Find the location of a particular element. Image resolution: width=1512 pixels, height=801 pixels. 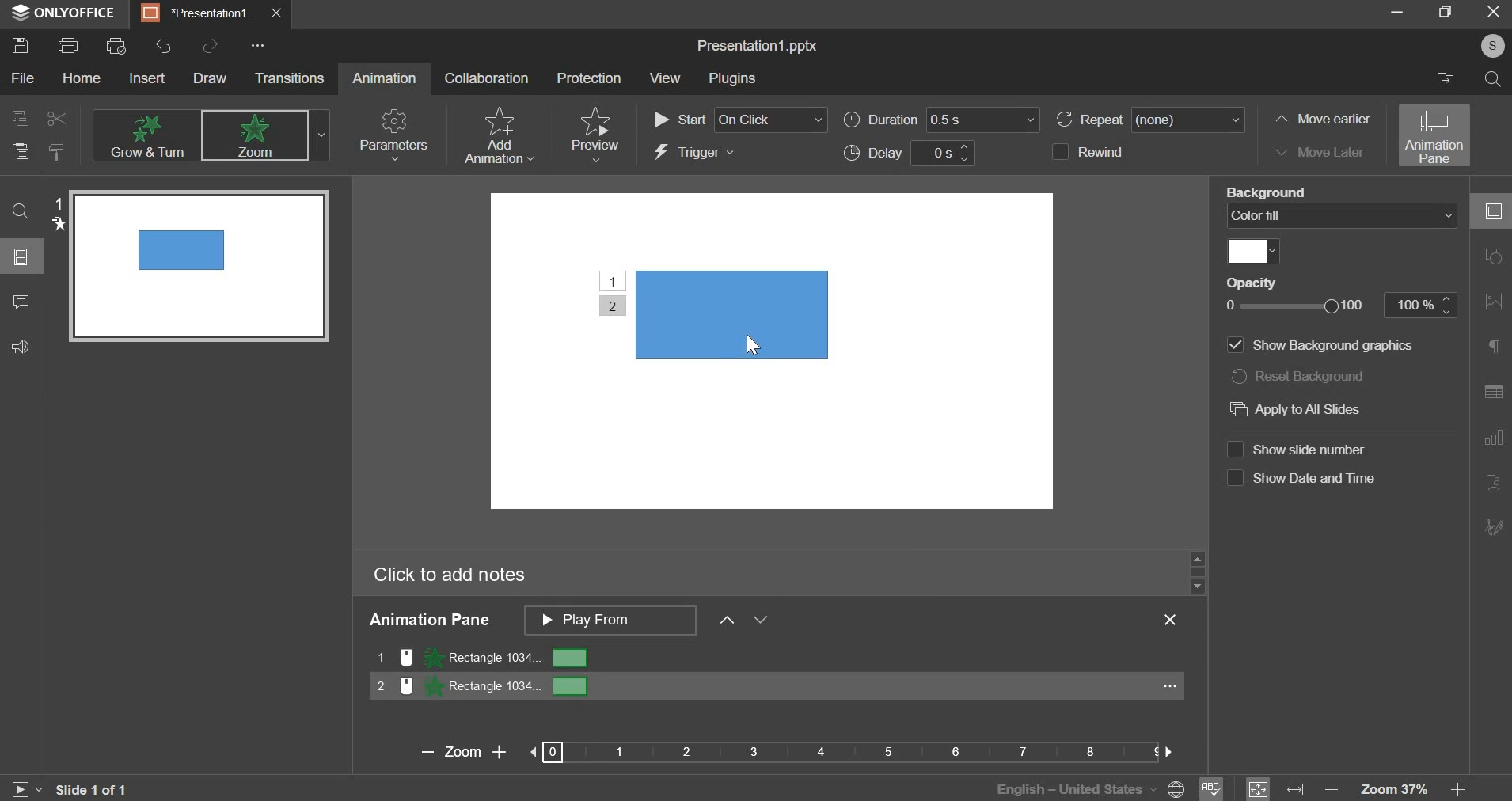

Plugins is located at coordinates (739, 79).